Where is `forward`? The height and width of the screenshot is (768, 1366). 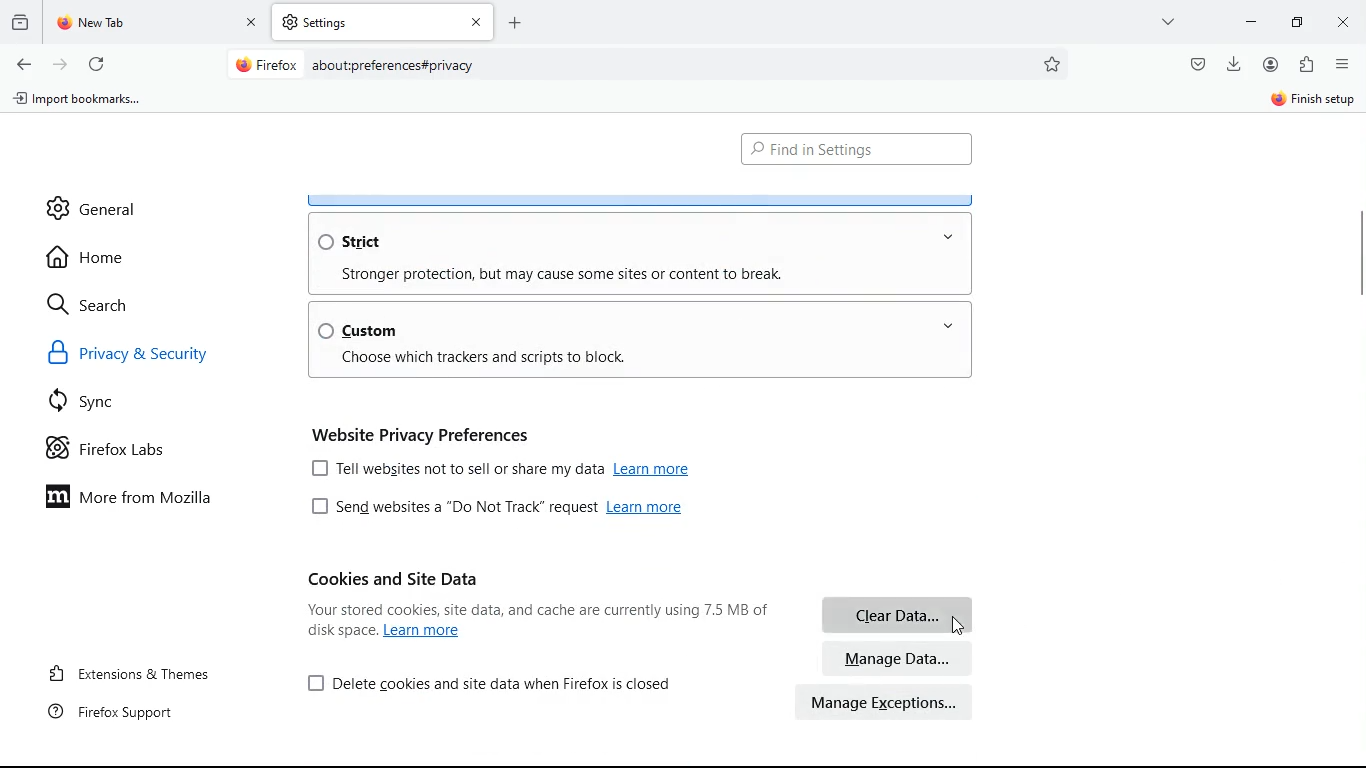 forward is located at coordinates (60, 63).